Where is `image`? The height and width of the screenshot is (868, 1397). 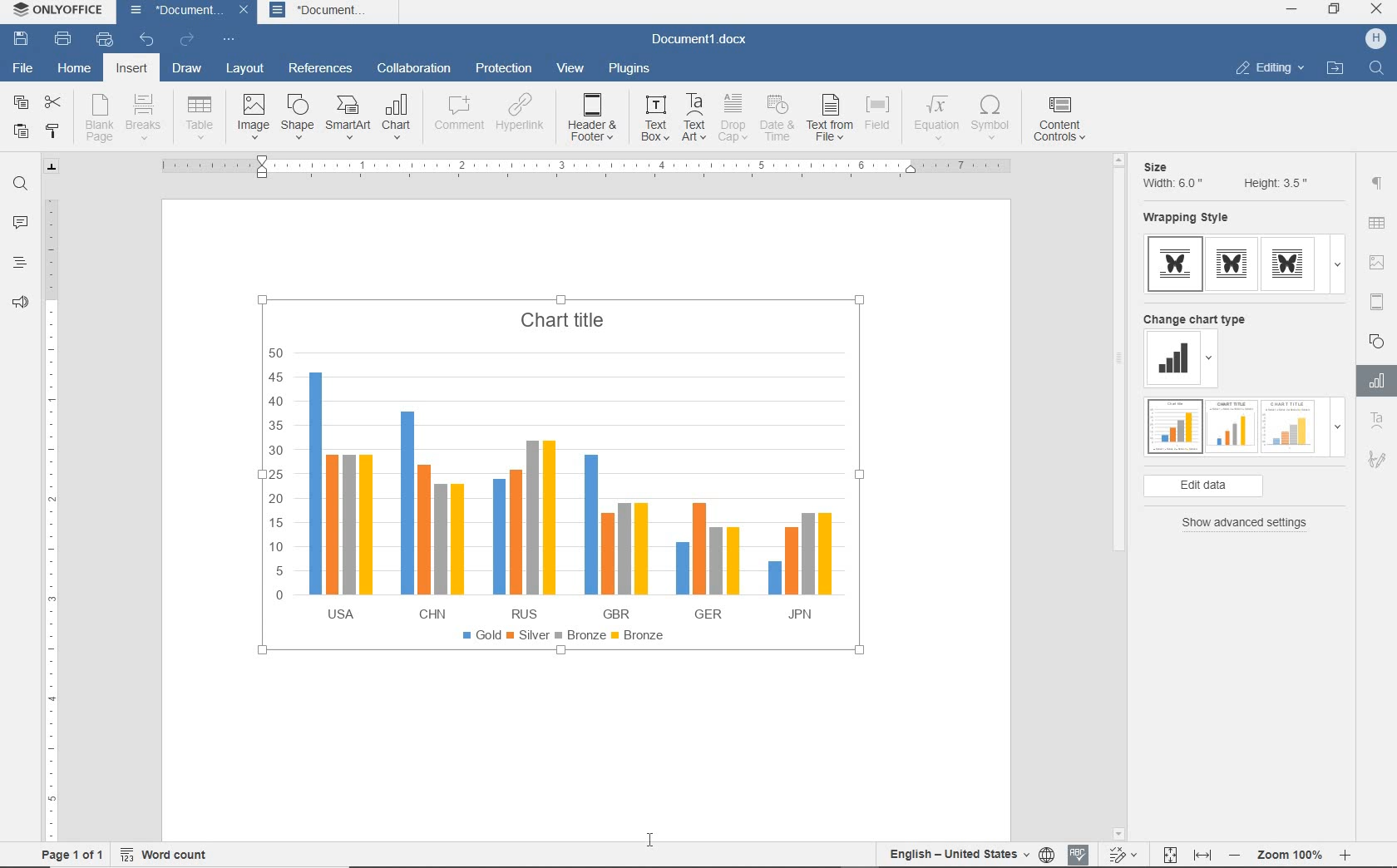 image is located at coordinates (1377, 262).